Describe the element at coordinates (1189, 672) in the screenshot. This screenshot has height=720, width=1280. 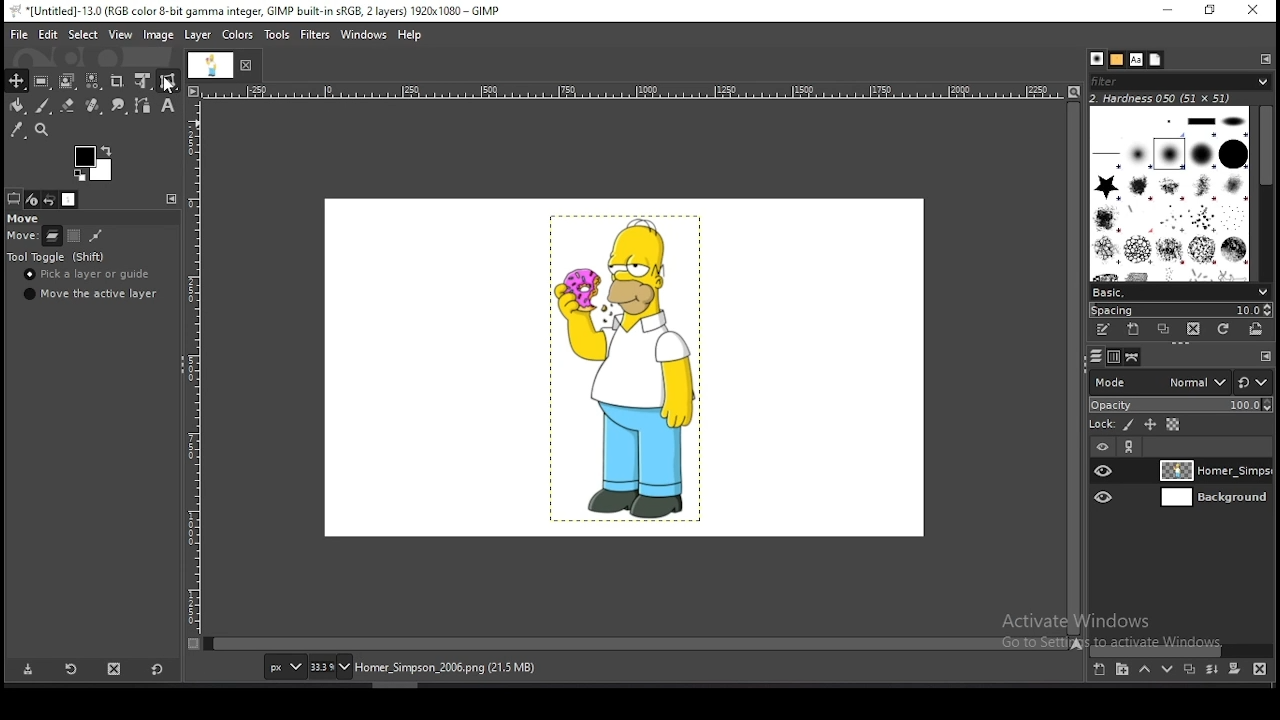
I see `duplicate layer` at that location.